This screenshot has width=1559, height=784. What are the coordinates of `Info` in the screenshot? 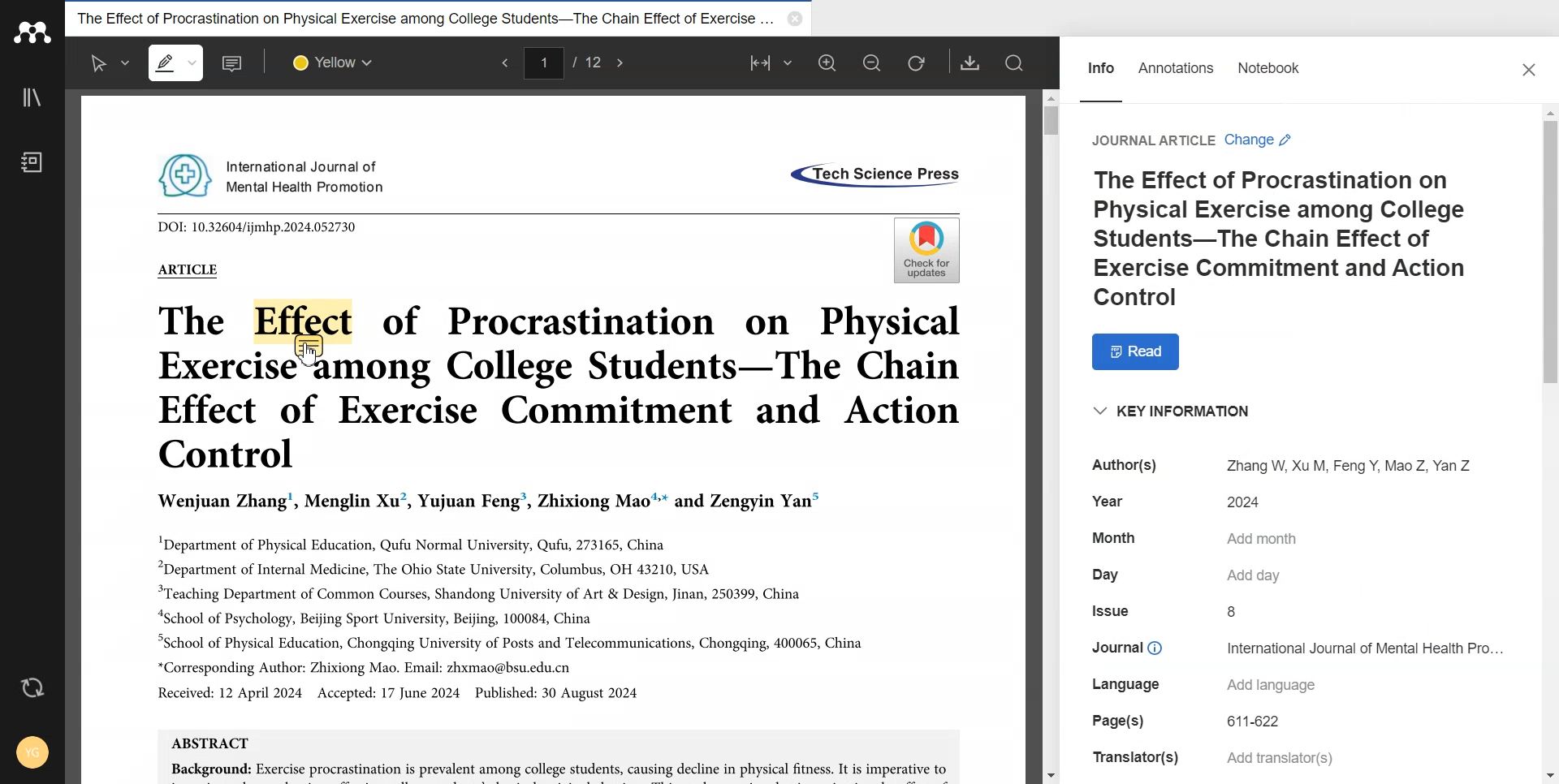 It's located at (1101, 72).